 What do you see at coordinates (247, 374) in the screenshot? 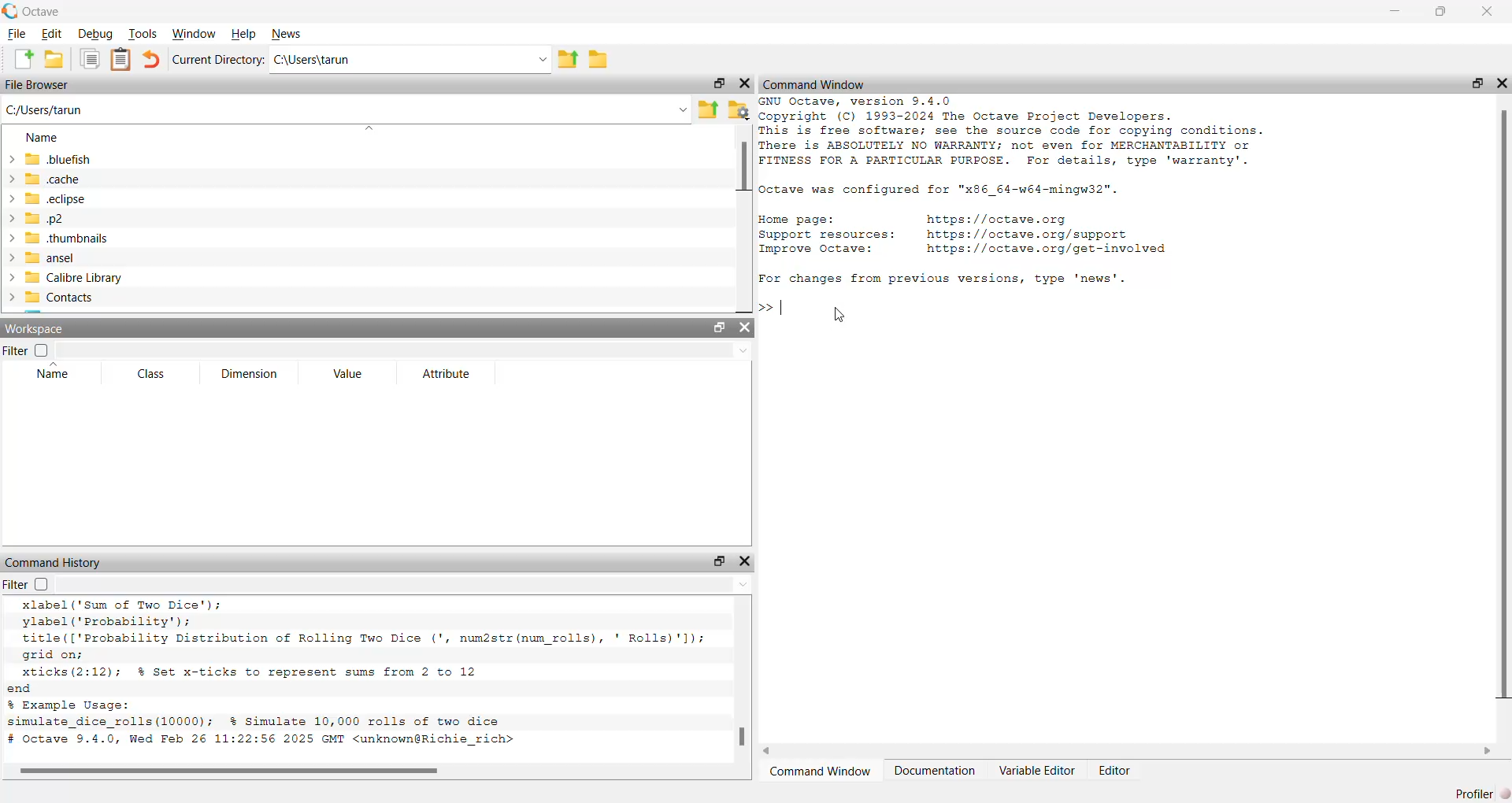
I see `Dimension` at bounding box center [247, 374].